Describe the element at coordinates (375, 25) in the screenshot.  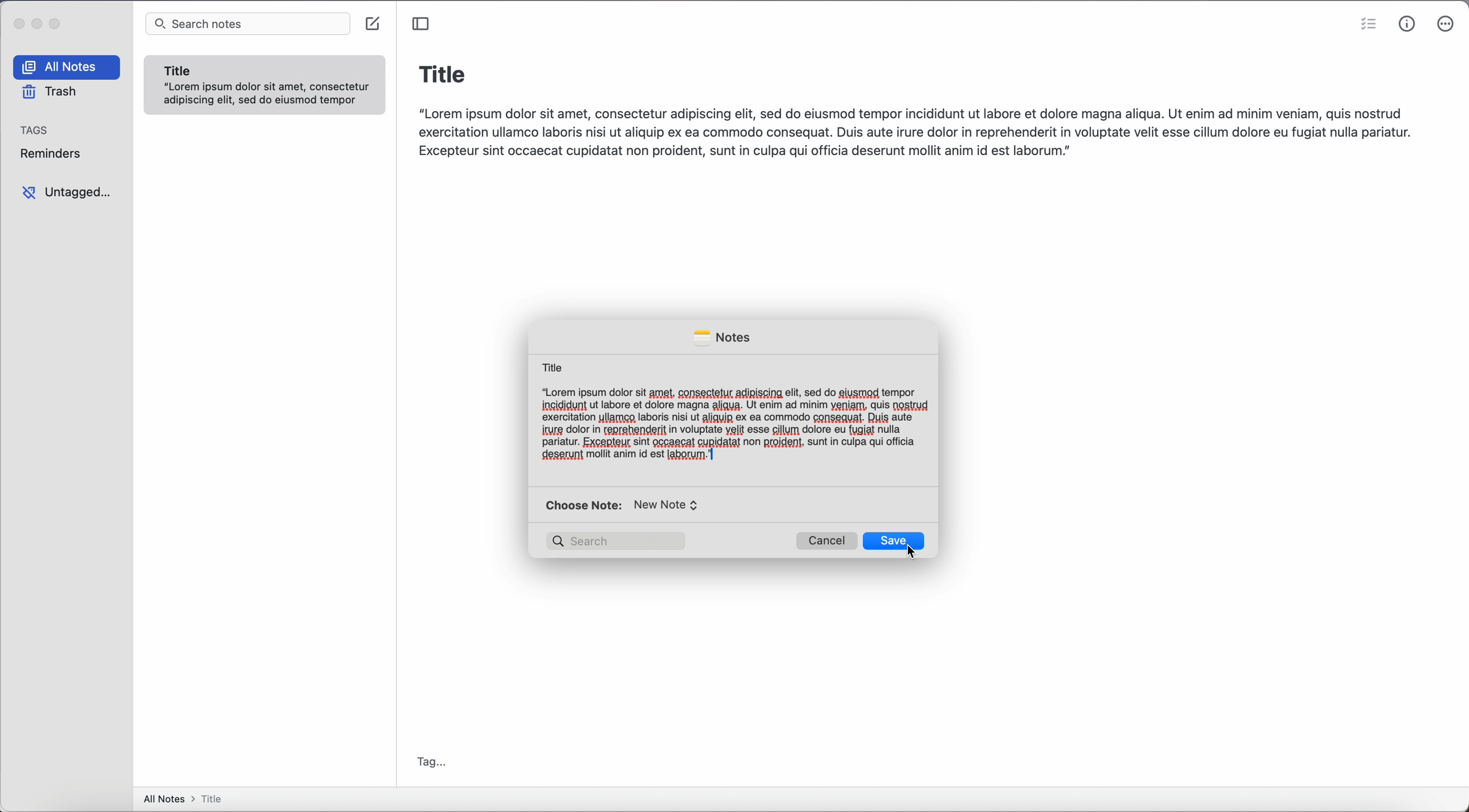
I see `create note` at that location.